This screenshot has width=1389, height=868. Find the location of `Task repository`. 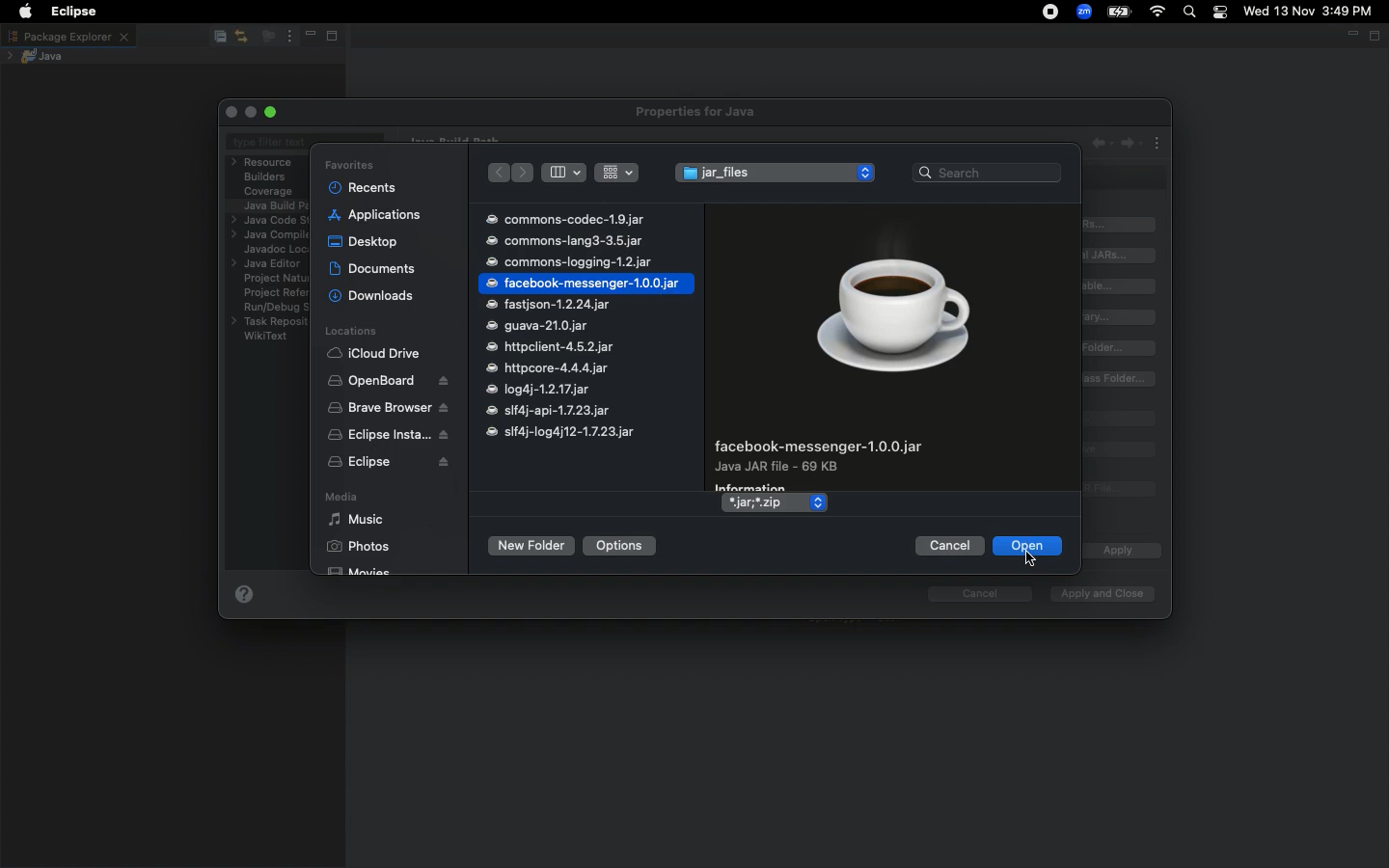

Task repository is located at coordinates (270, 322).